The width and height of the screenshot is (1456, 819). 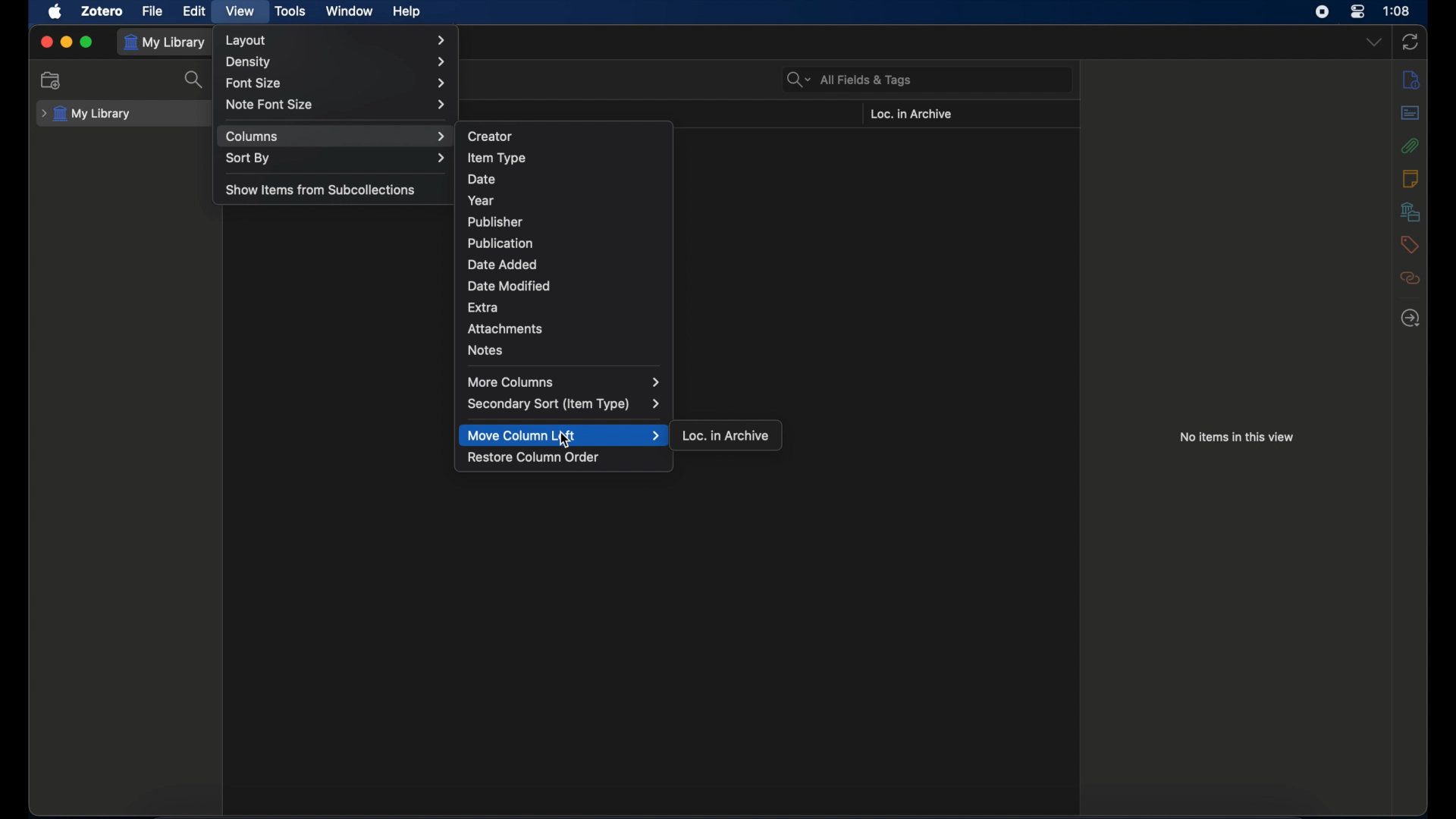 What do you see at coordinates (1323, 12) in the screenshot?
I see `screen recorder` at bounding box center [1323, 12].